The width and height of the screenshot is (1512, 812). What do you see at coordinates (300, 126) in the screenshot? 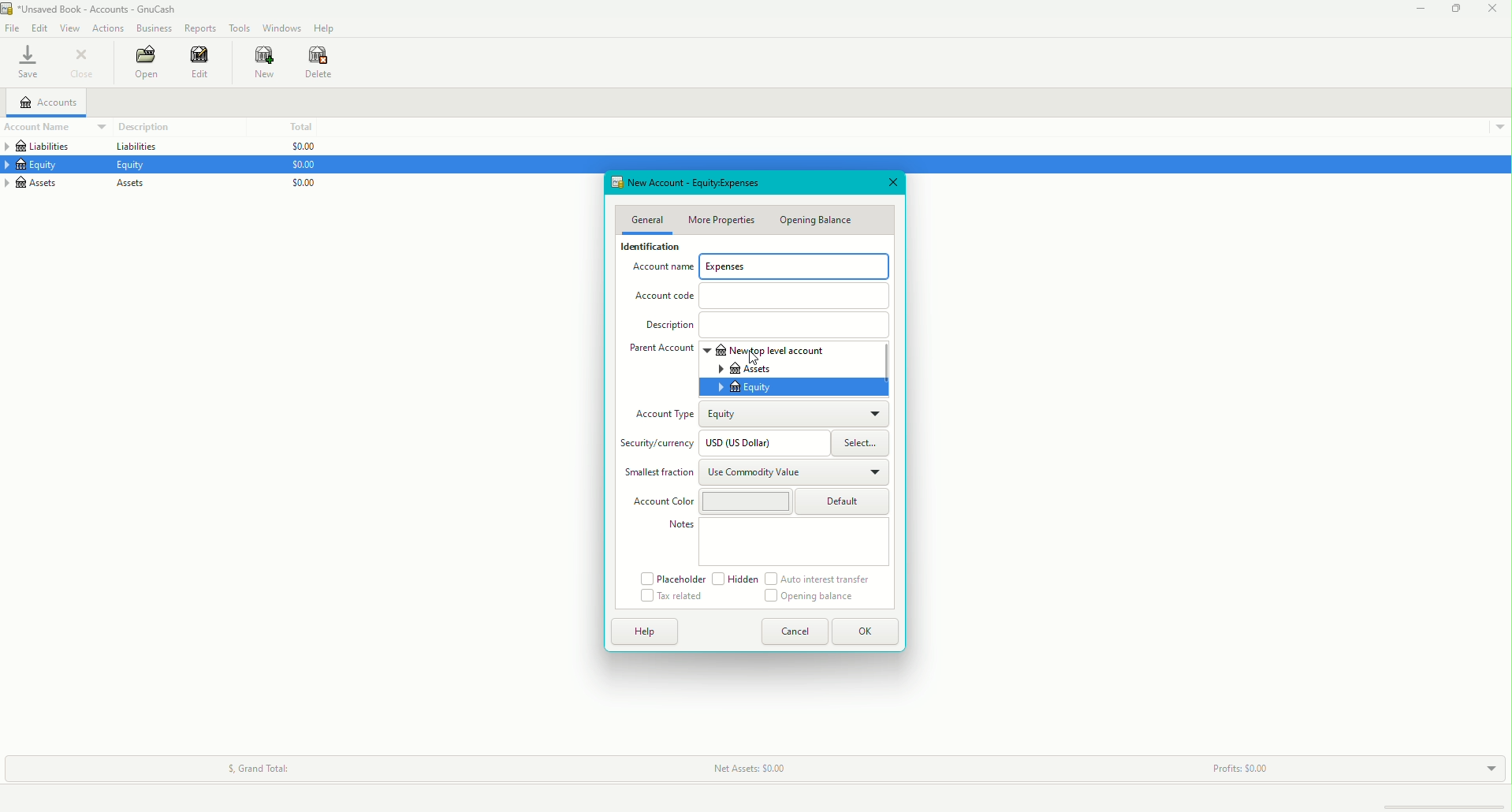
I see `Total` at bounding box center [300, 126].